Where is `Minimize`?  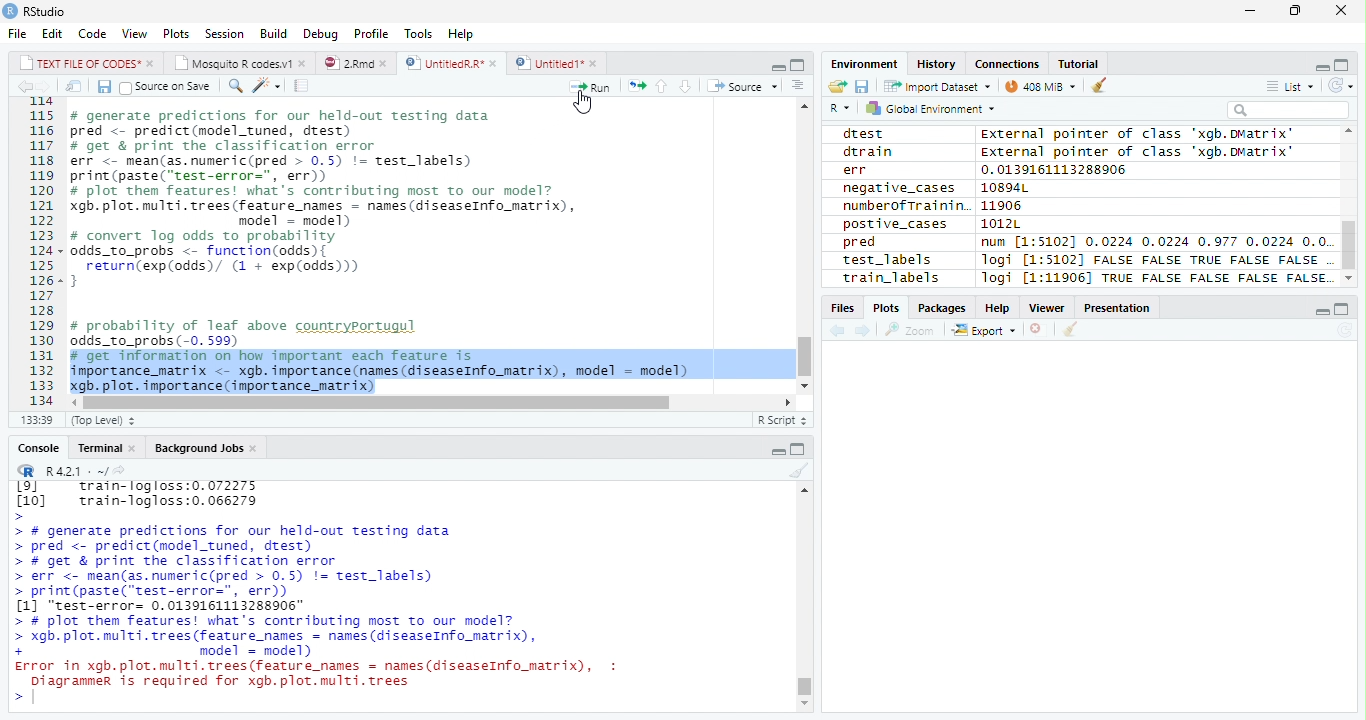
Minimize is located at coordinates (1322, 309).